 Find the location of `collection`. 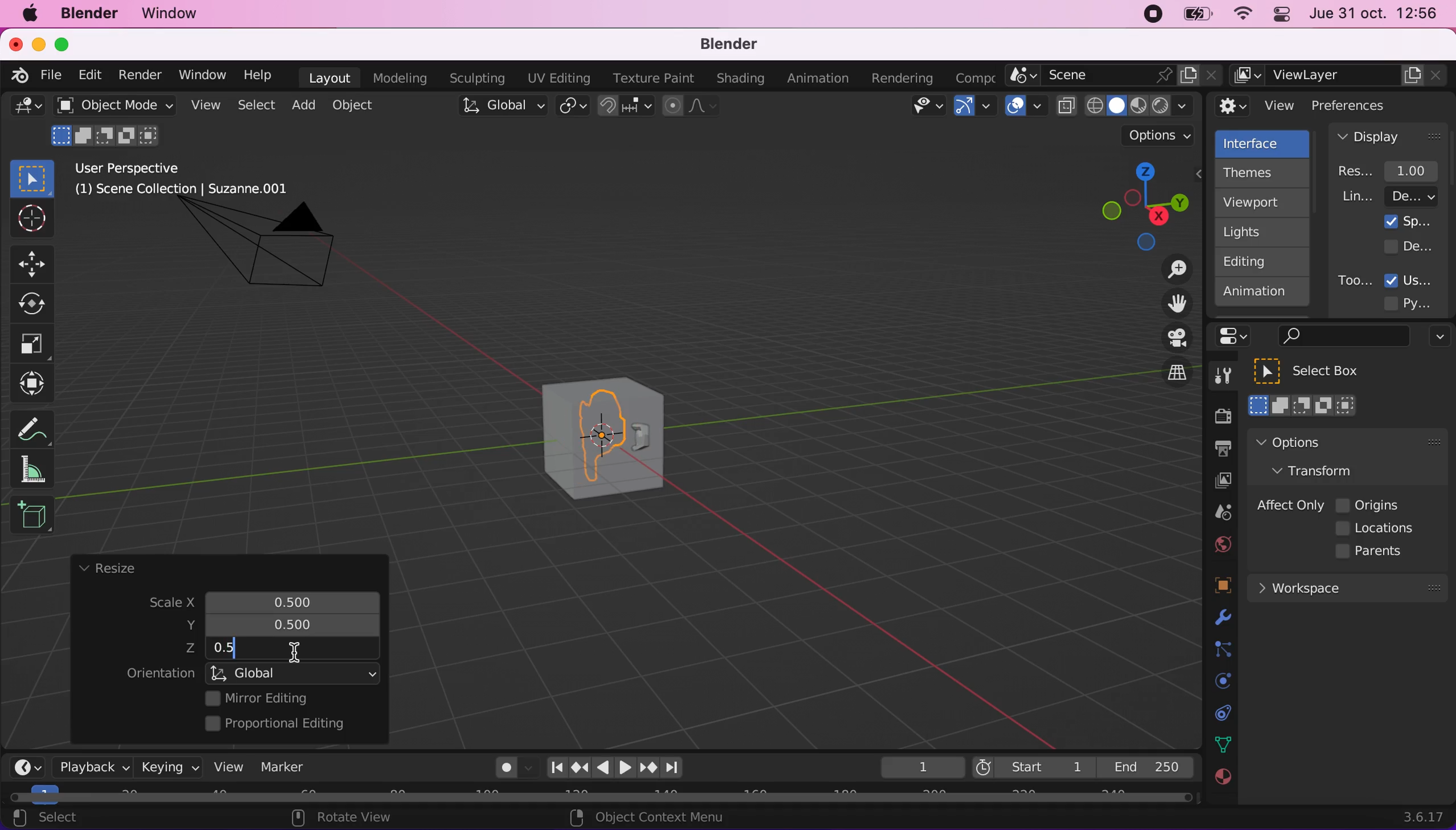

collection is located at coordinates (1220, 713).